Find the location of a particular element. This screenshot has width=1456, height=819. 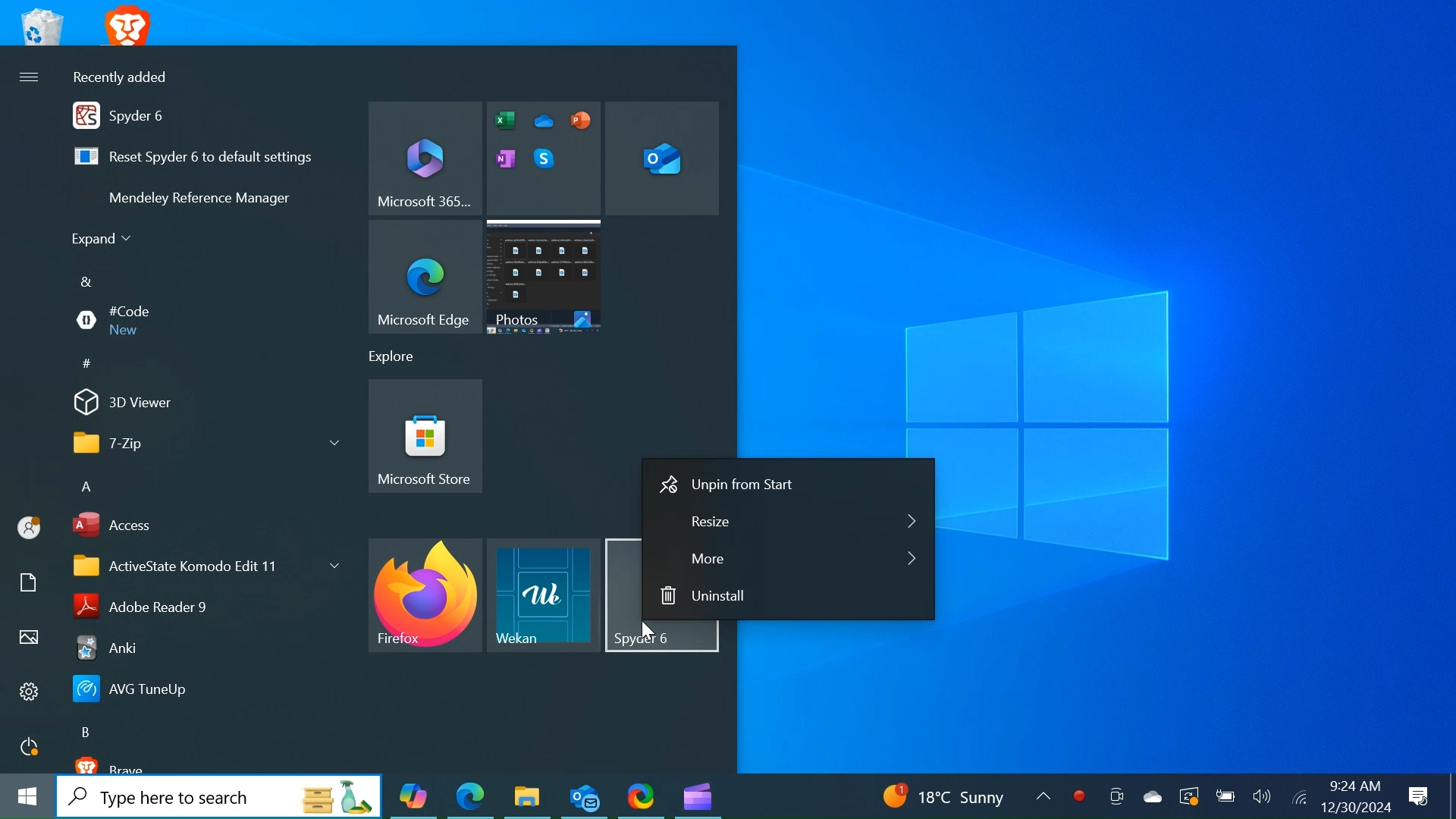

ShareX is located at coordinates (642, 795).